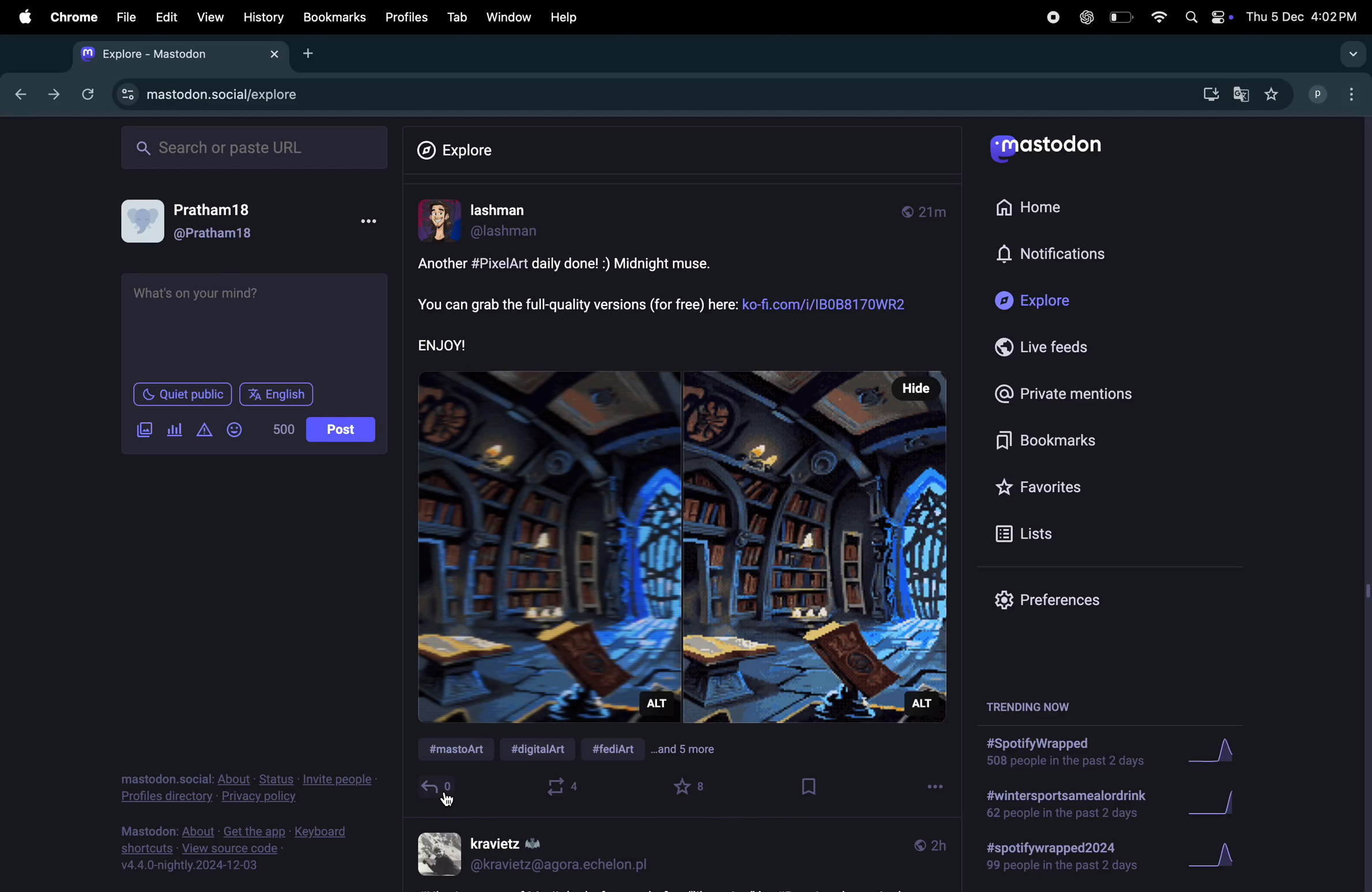 The image size is (1372, 892). I want to click on image, so click(682, 545).